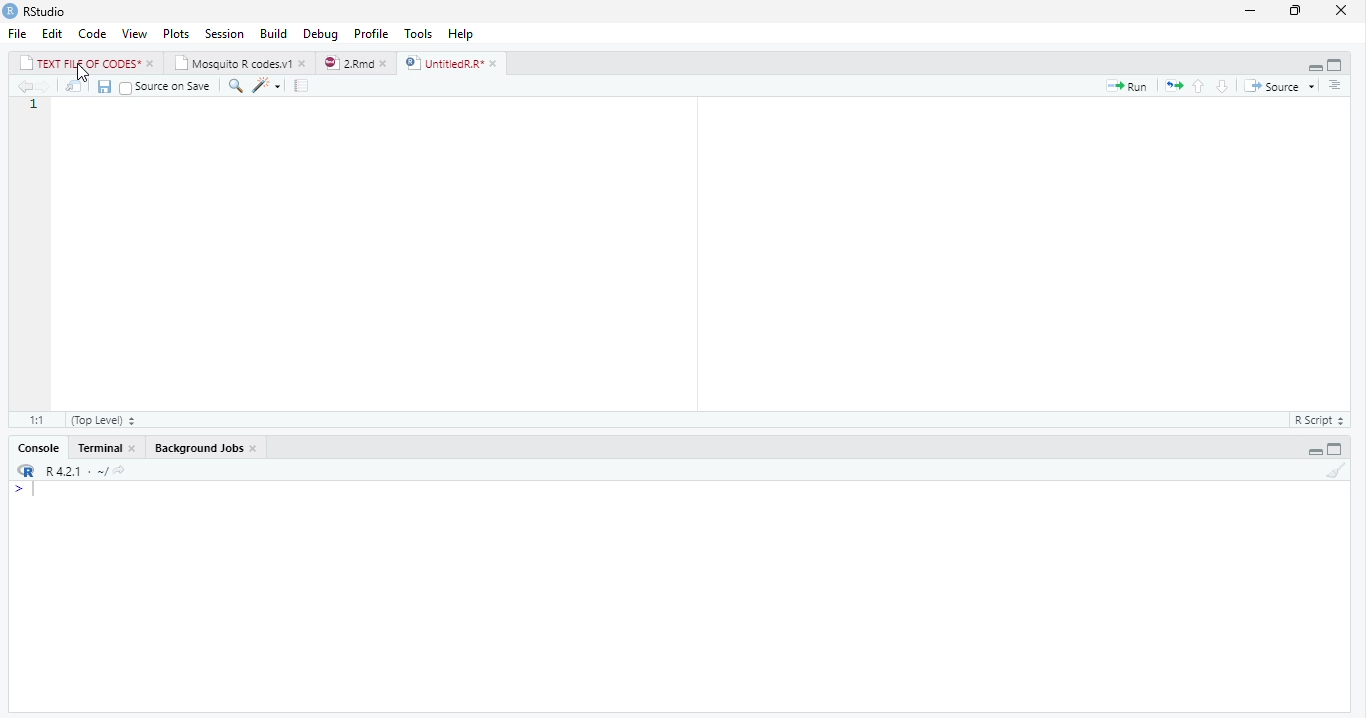 This screenshot has height=718, width=1366. I want to click on show document outline, so click(1336, 86).